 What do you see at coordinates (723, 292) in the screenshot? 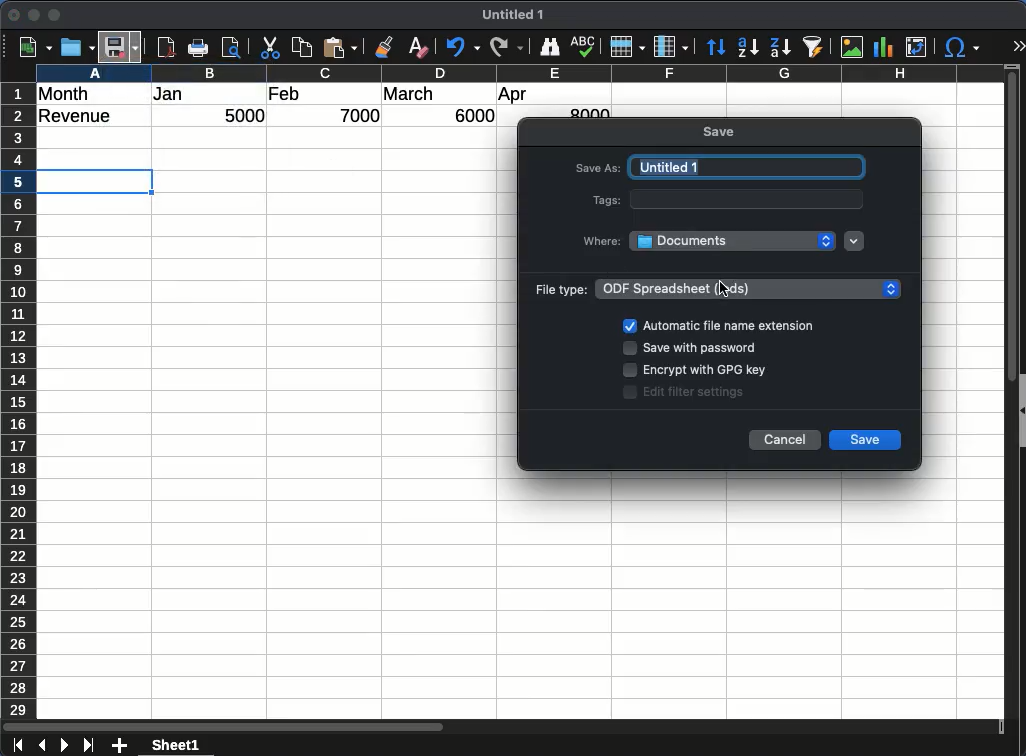
I see `Cursor` at bounding box center [723, 292].